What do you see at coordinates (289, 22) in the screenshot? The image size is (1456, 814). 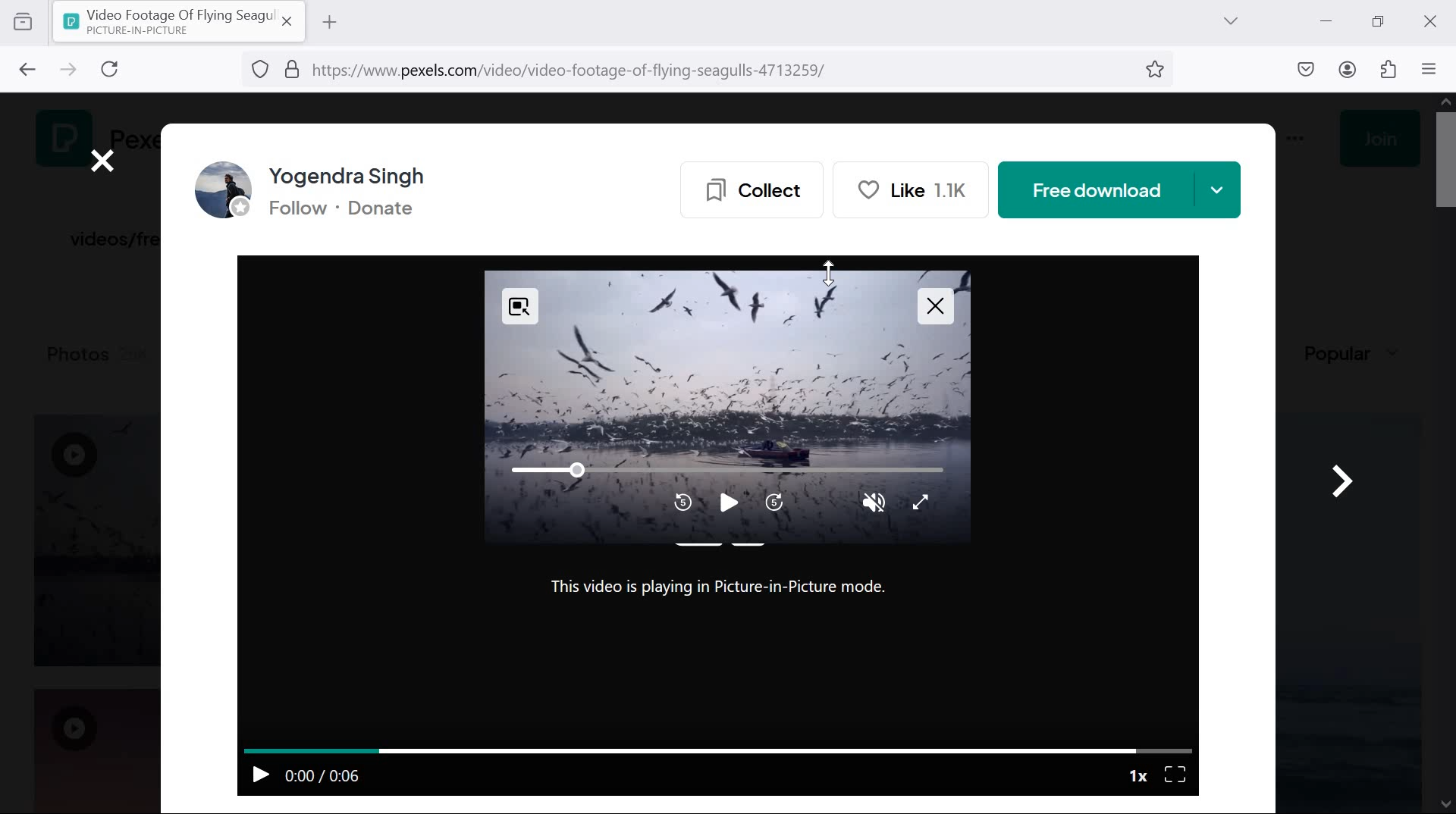 I see `close` at bounding box center [289, 22].